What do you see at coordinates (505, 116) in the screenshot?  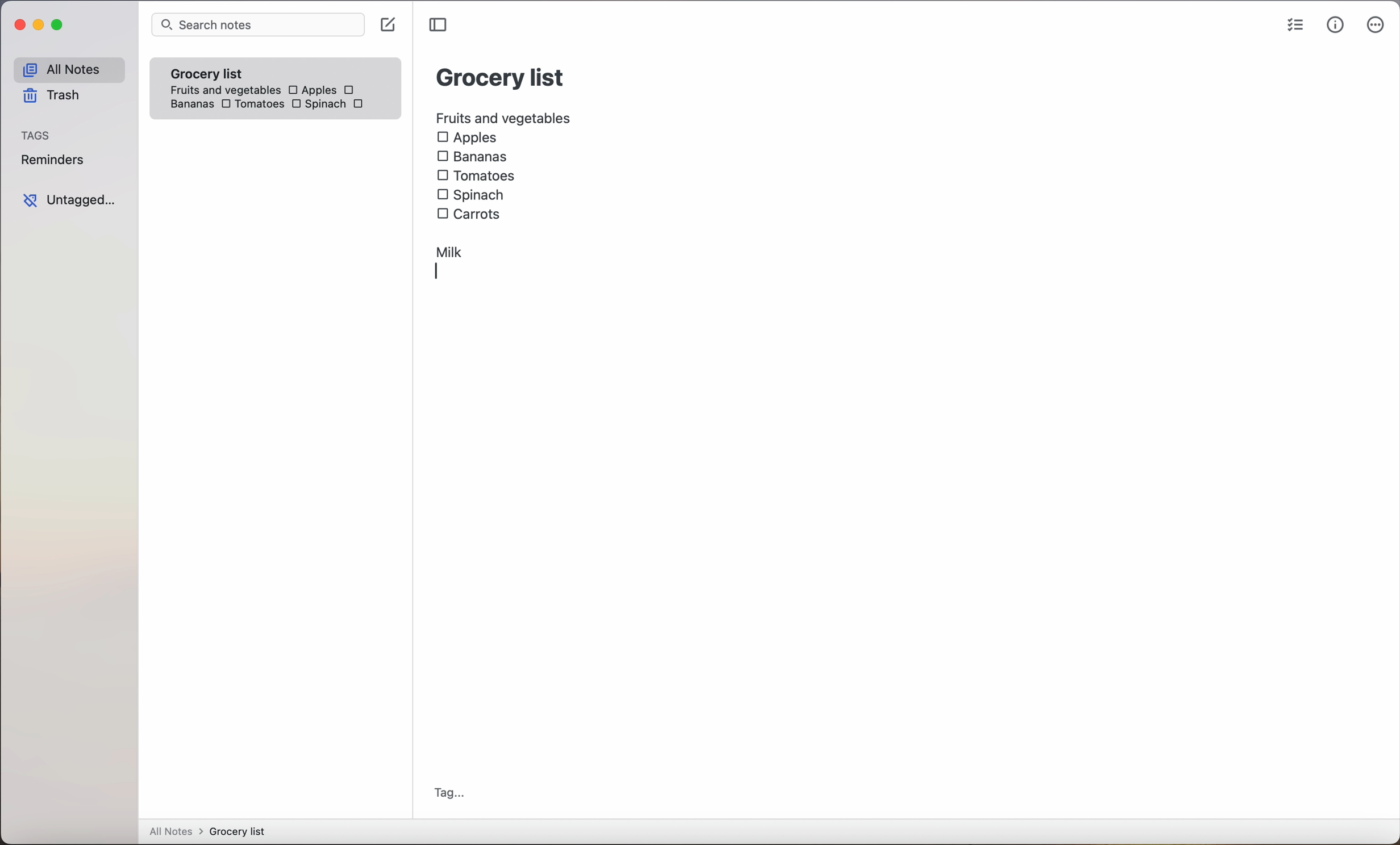 I see `fruits and vegetables` at bounding box center [505, 116].